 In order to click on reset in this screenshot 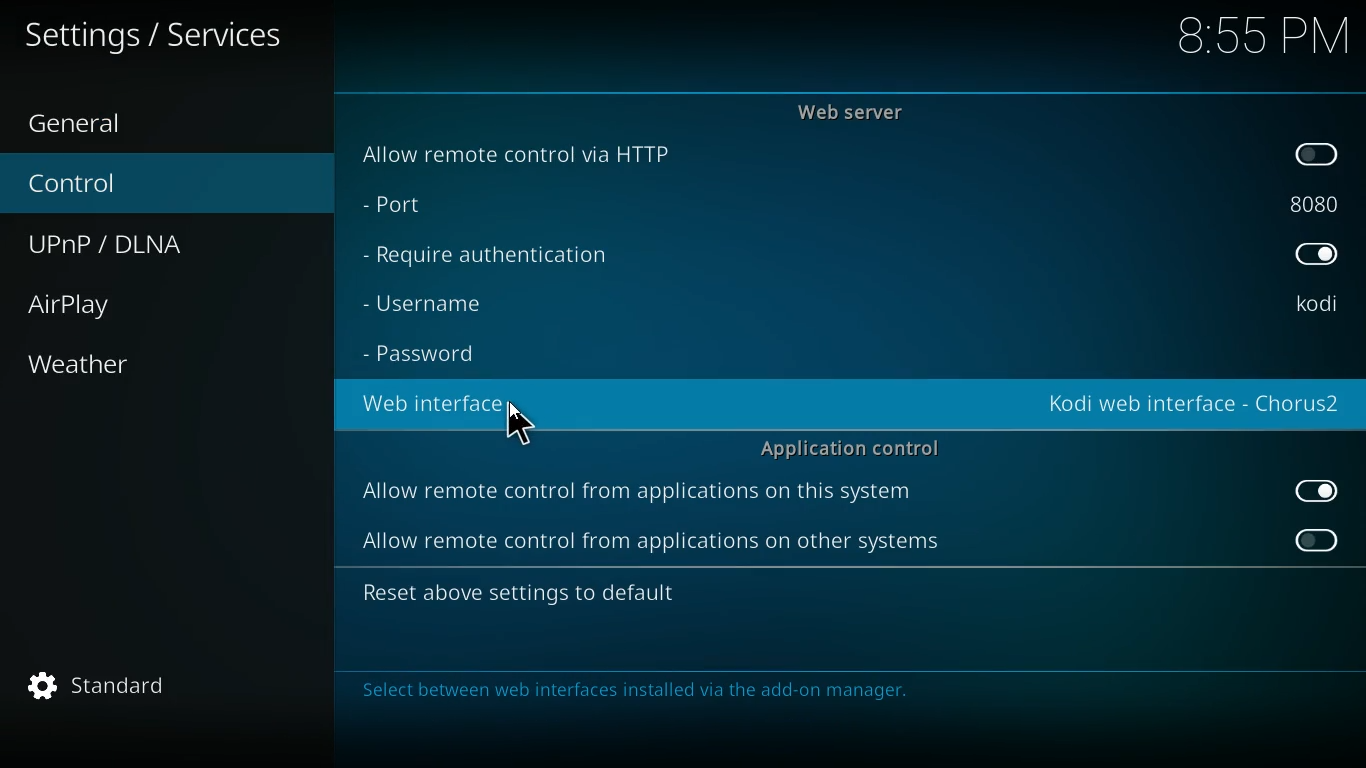, I will do `click(547, 595)`.